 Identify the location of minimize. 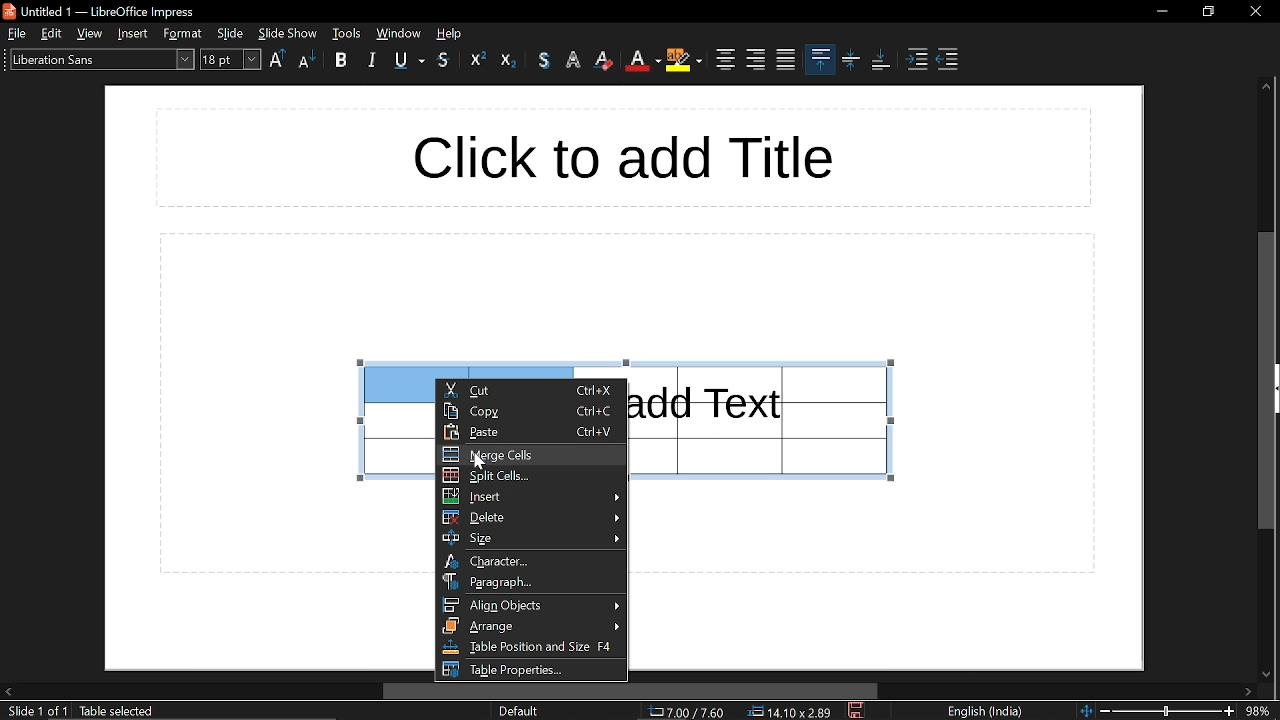
(1162, 11).